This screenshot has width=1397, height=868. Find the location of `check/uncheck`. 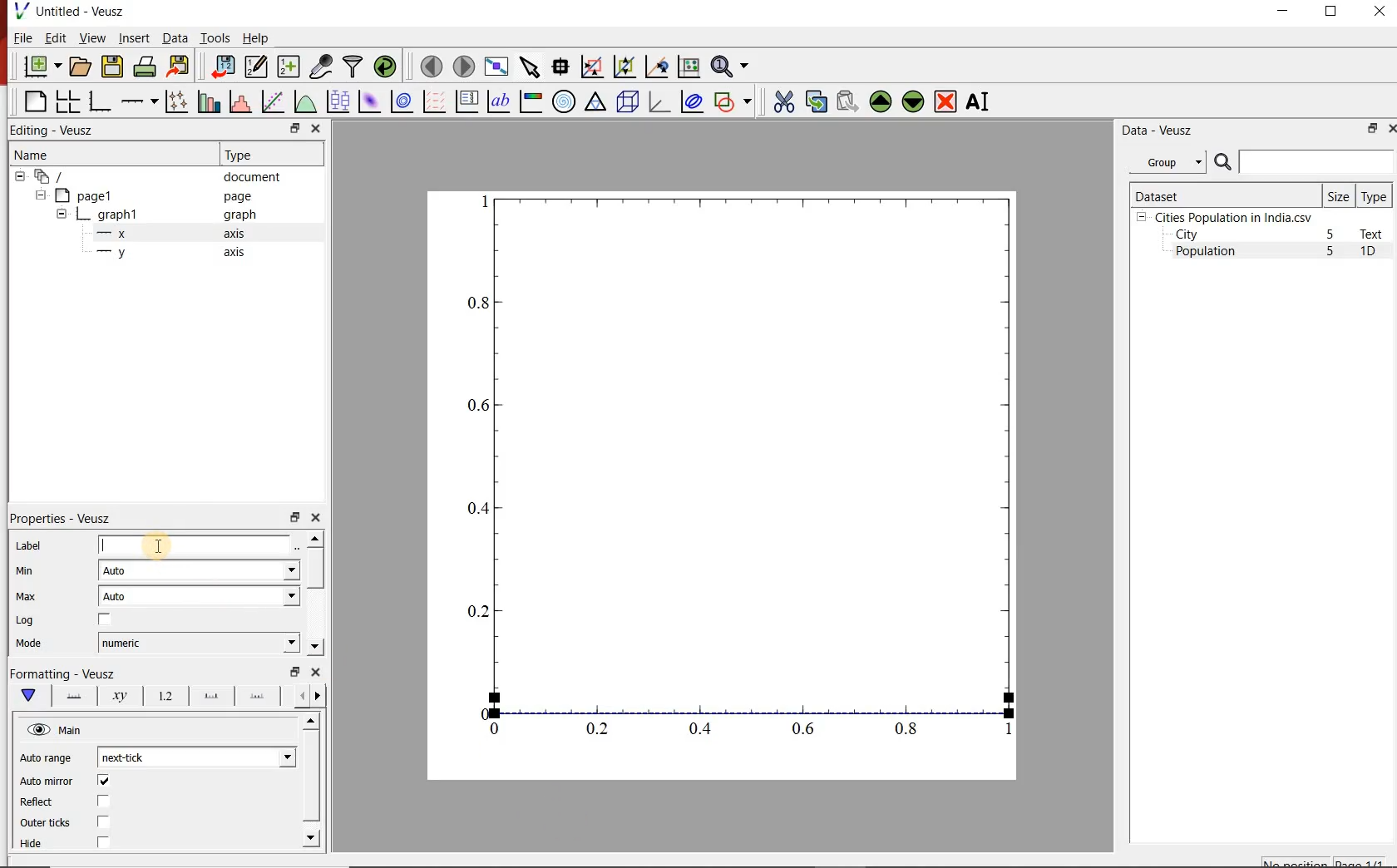

check/uncheck is located at coordinates (105, 619).